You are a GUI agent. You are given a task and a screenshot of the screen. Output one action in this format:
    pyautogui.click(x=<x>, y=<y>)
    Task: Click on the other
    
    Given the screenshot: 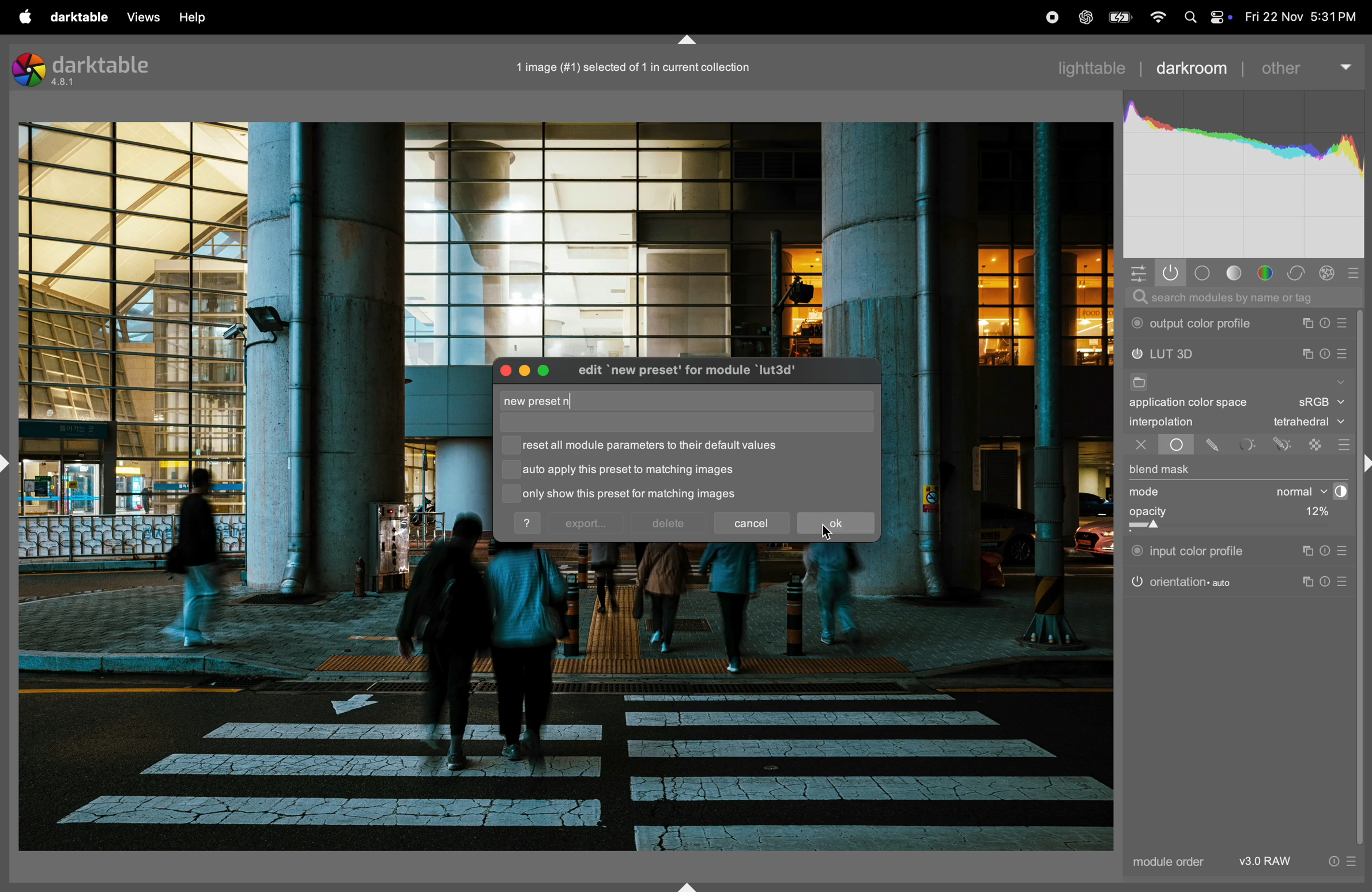 What is the action you would take?
    pyautogui.click(x=1305, y=63)
    